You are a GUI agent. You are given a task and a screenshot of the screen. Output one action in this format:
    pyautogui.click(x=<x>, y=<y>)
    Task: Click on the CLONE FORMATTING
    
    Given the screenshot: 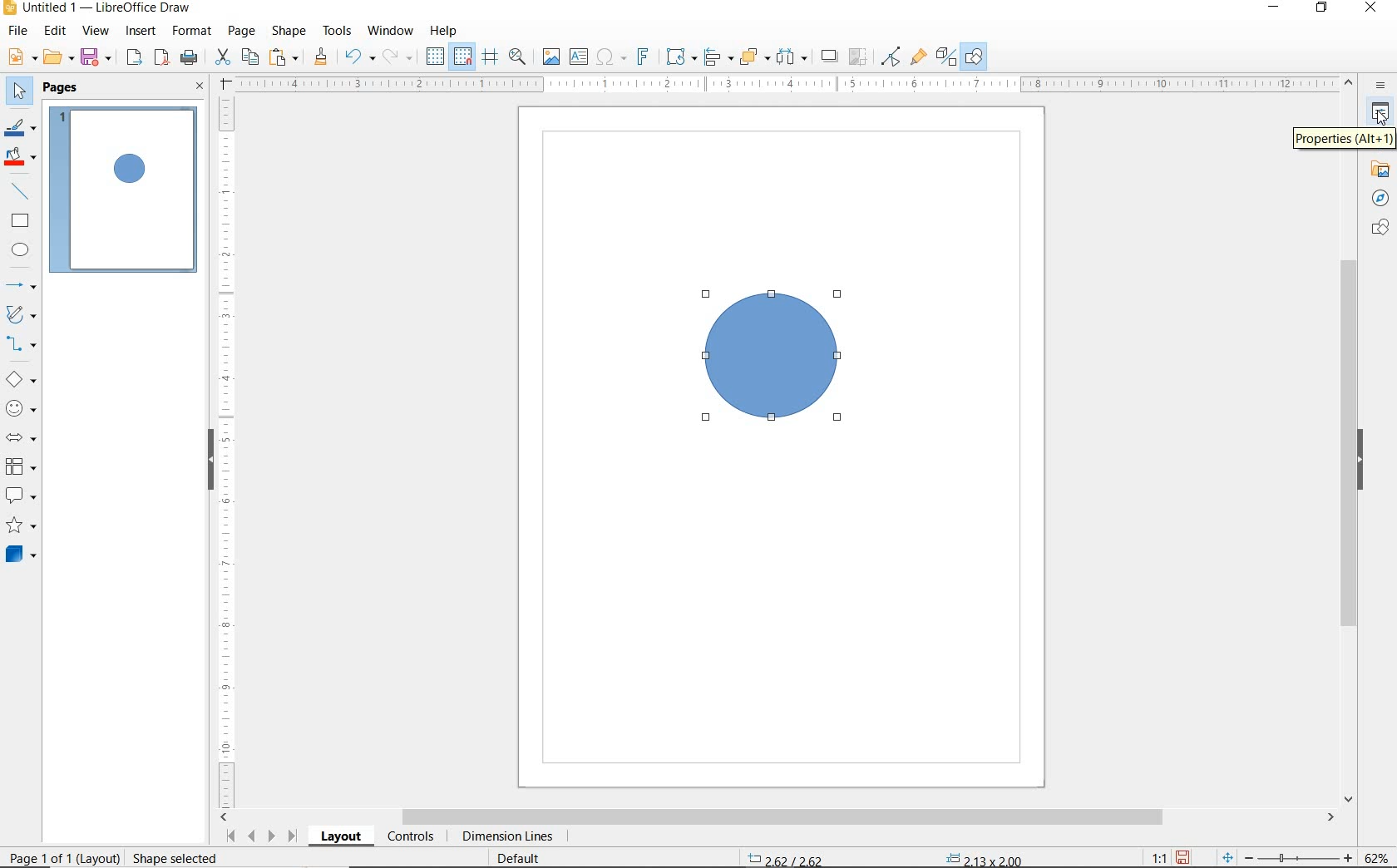 What is the action you would take?
    pyautogui.click(x=323, y=57)
    